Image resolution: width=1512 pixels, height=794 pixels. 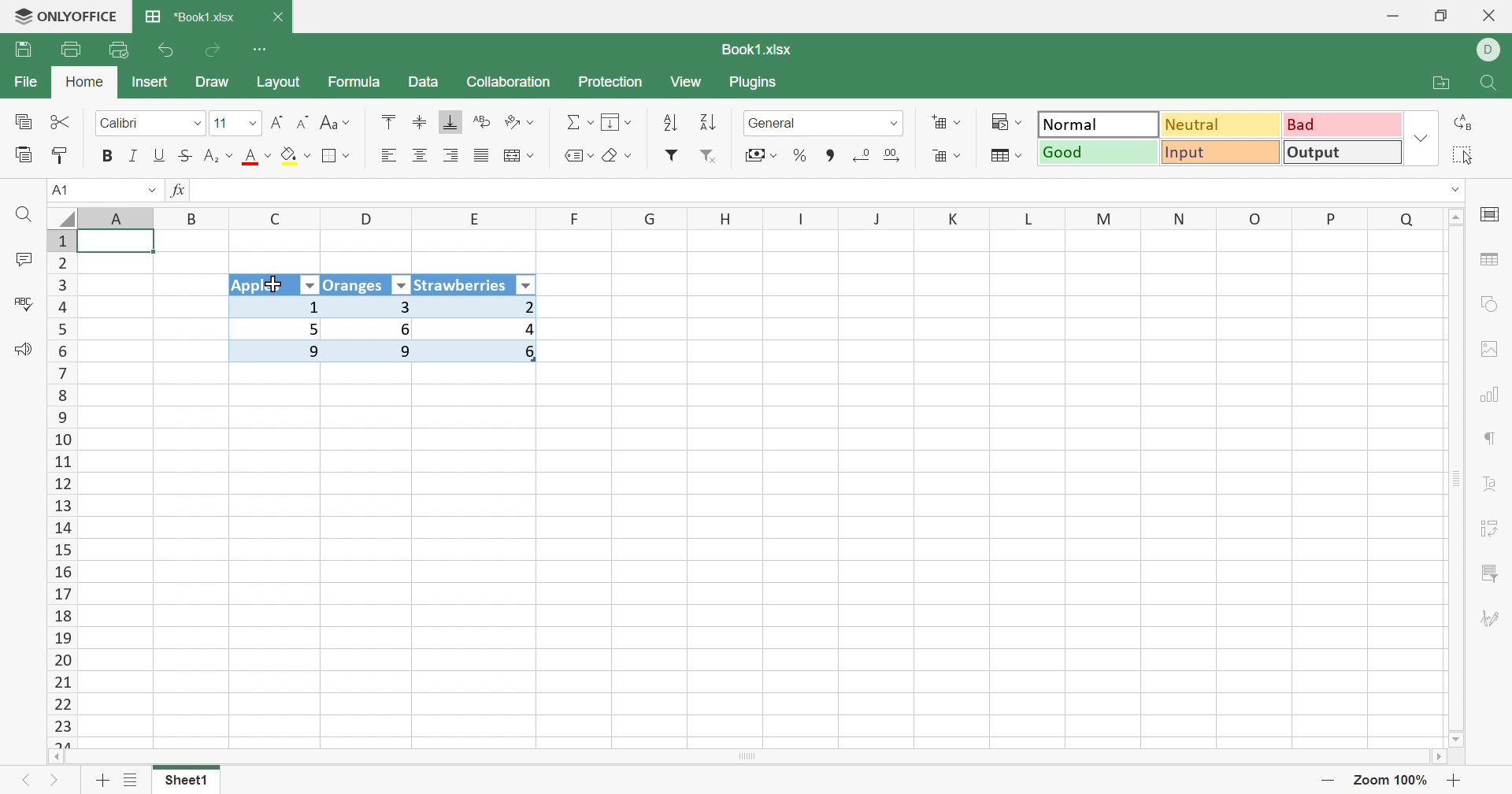 What do you see at coordinates (612, 83) in the screenshot?
I see `Protection` at bounding box center [612, 83].